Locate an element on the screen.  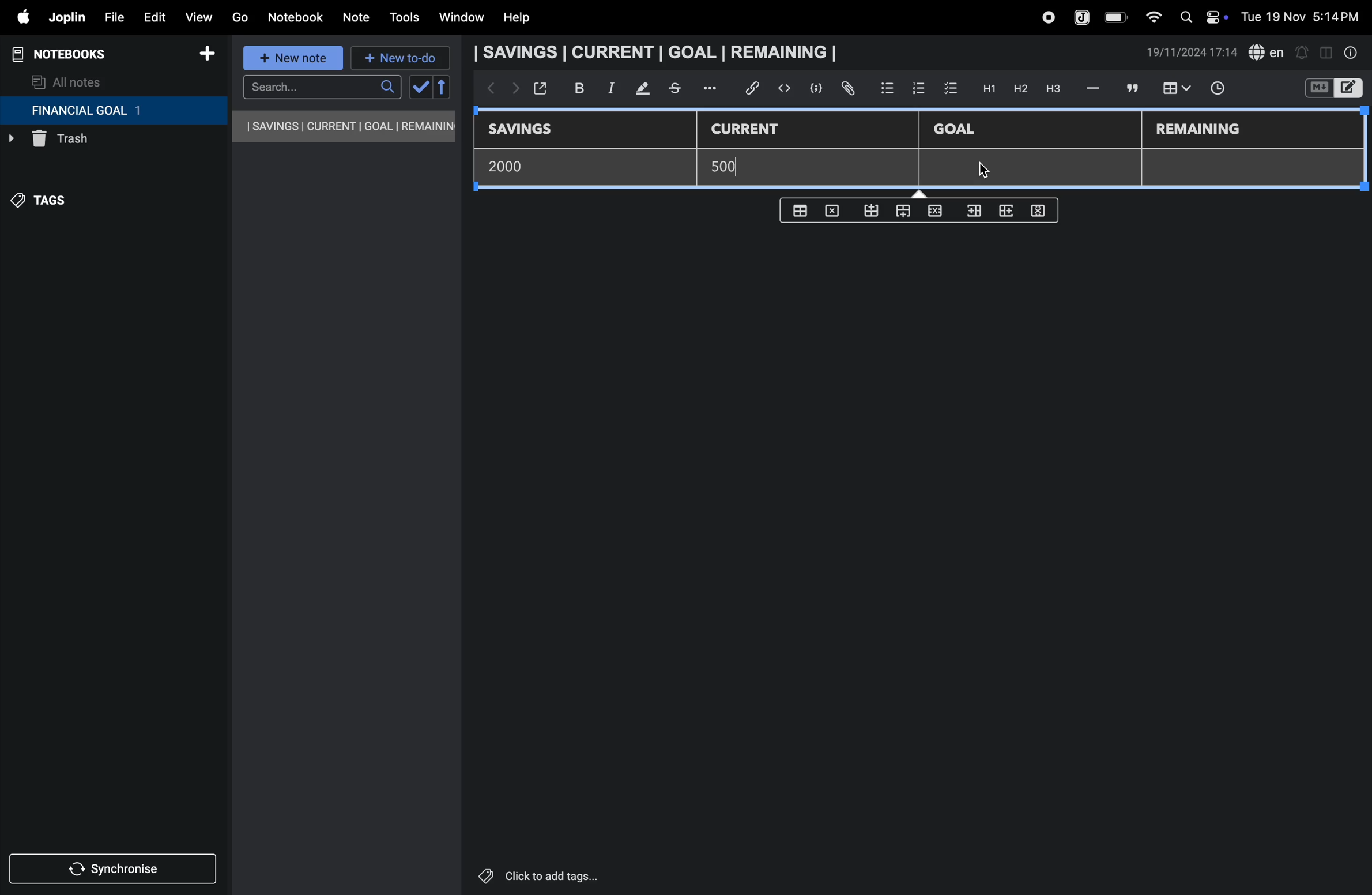
date and time is located at coordinates (1192, 52).